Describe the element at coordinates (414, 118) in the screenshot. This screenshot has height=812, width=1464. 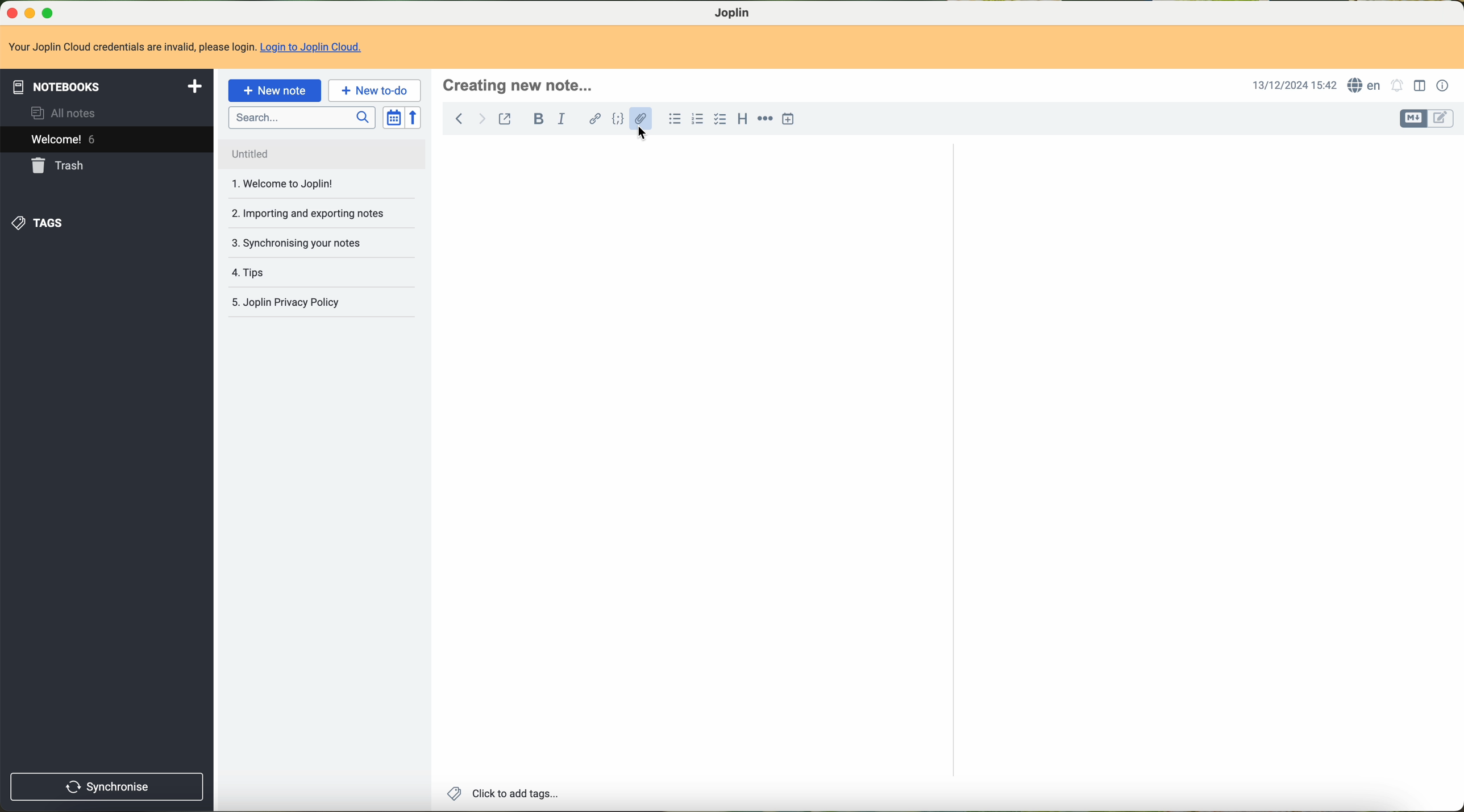
I see `reverse sort order` at that location.